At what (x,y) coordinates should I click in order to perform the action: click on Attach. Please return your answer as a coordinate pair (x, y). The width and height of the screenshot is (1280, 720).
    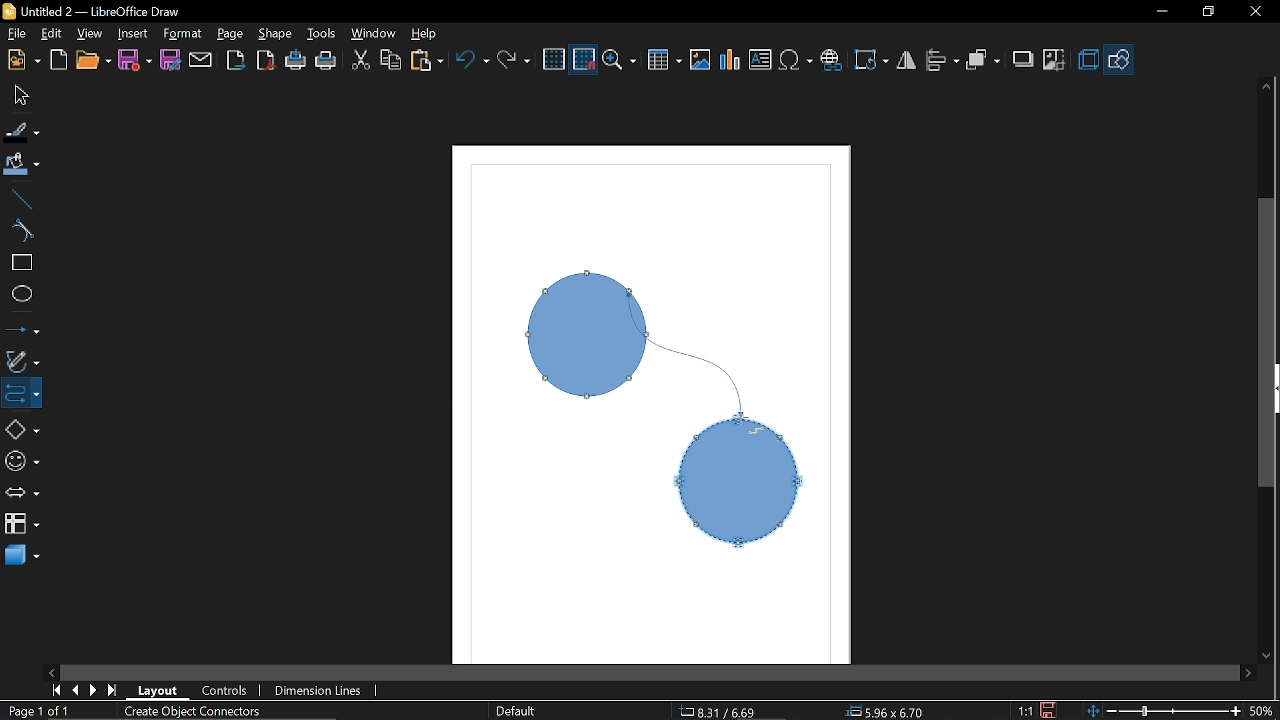
    Looking at the image, I should click on (201, 59).